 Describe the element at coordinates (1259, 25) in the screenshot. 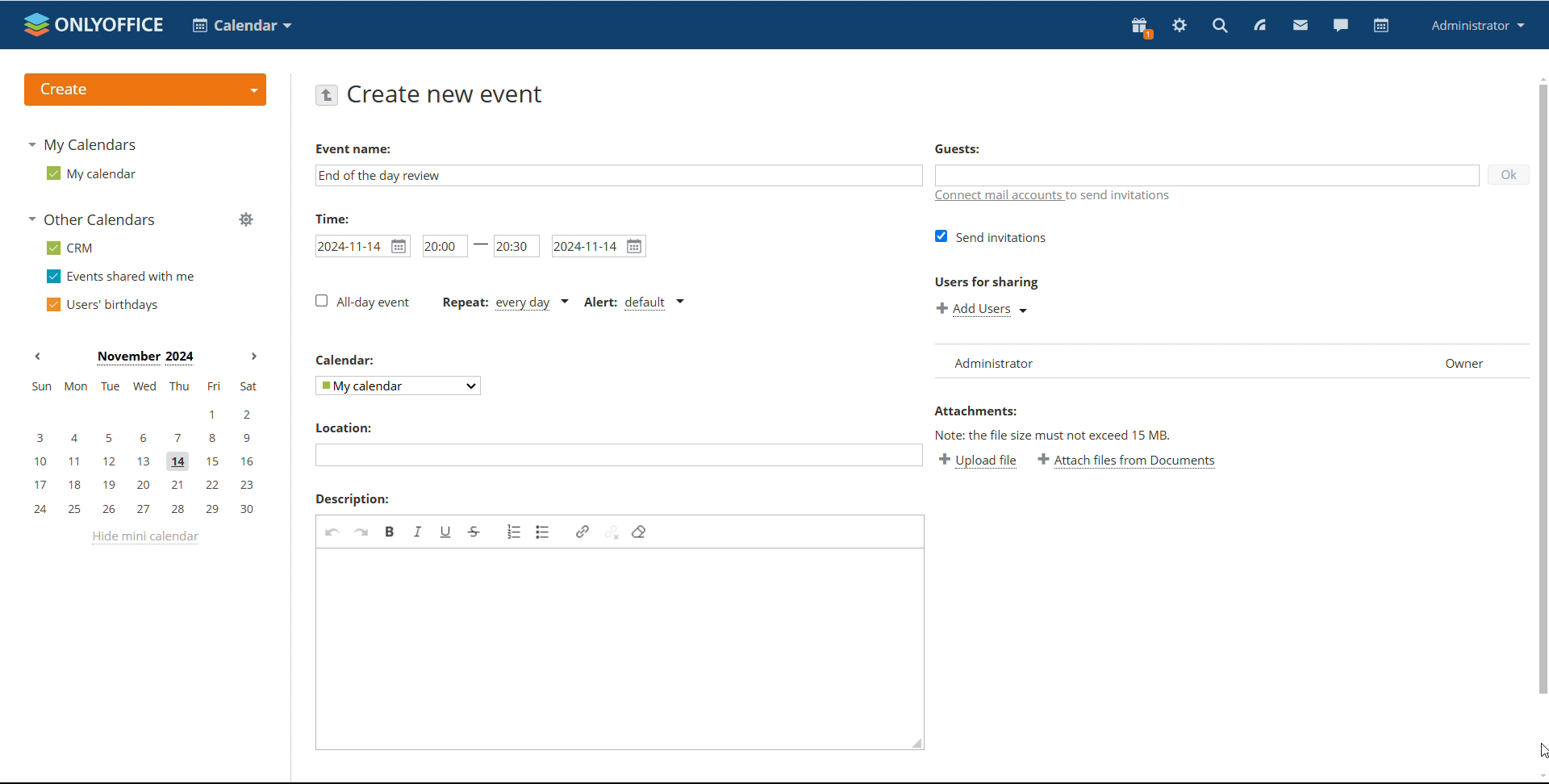

I see `feed` at that location.